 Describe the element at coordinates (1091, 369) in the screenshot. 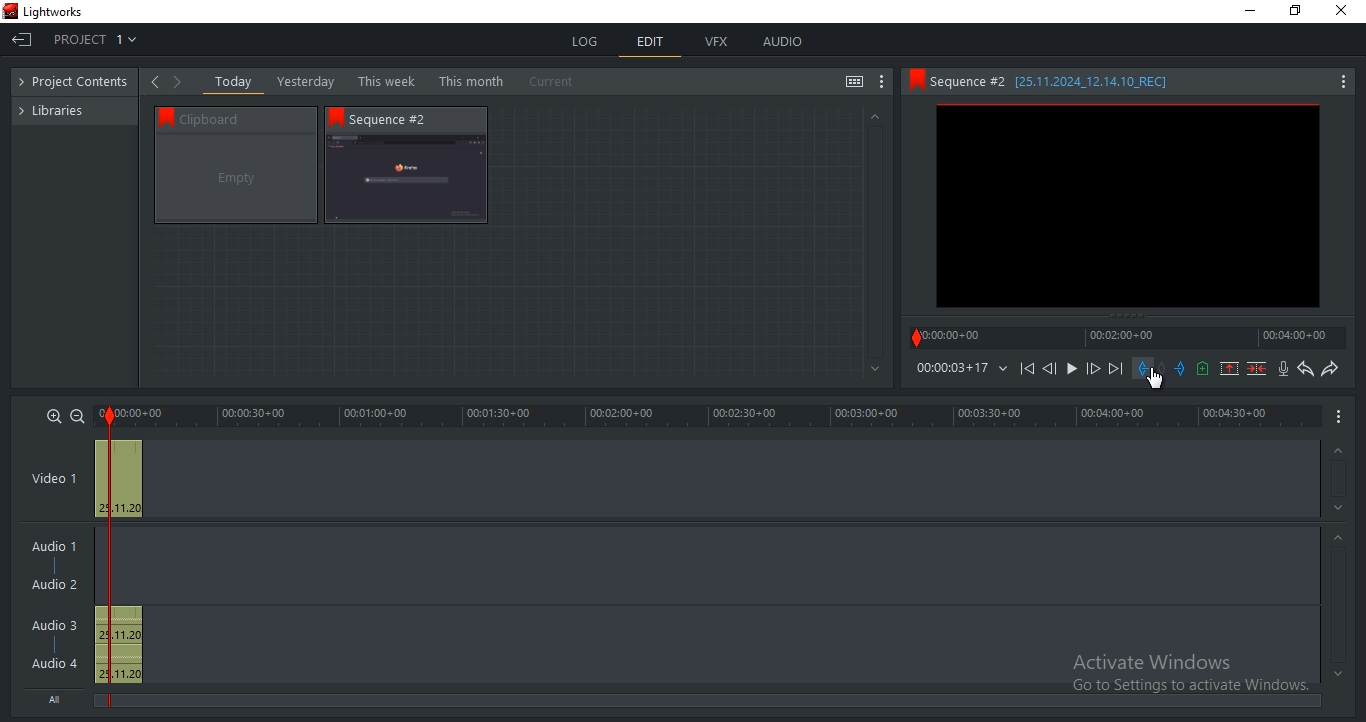

I see `Nudge one frame forward` at that location.